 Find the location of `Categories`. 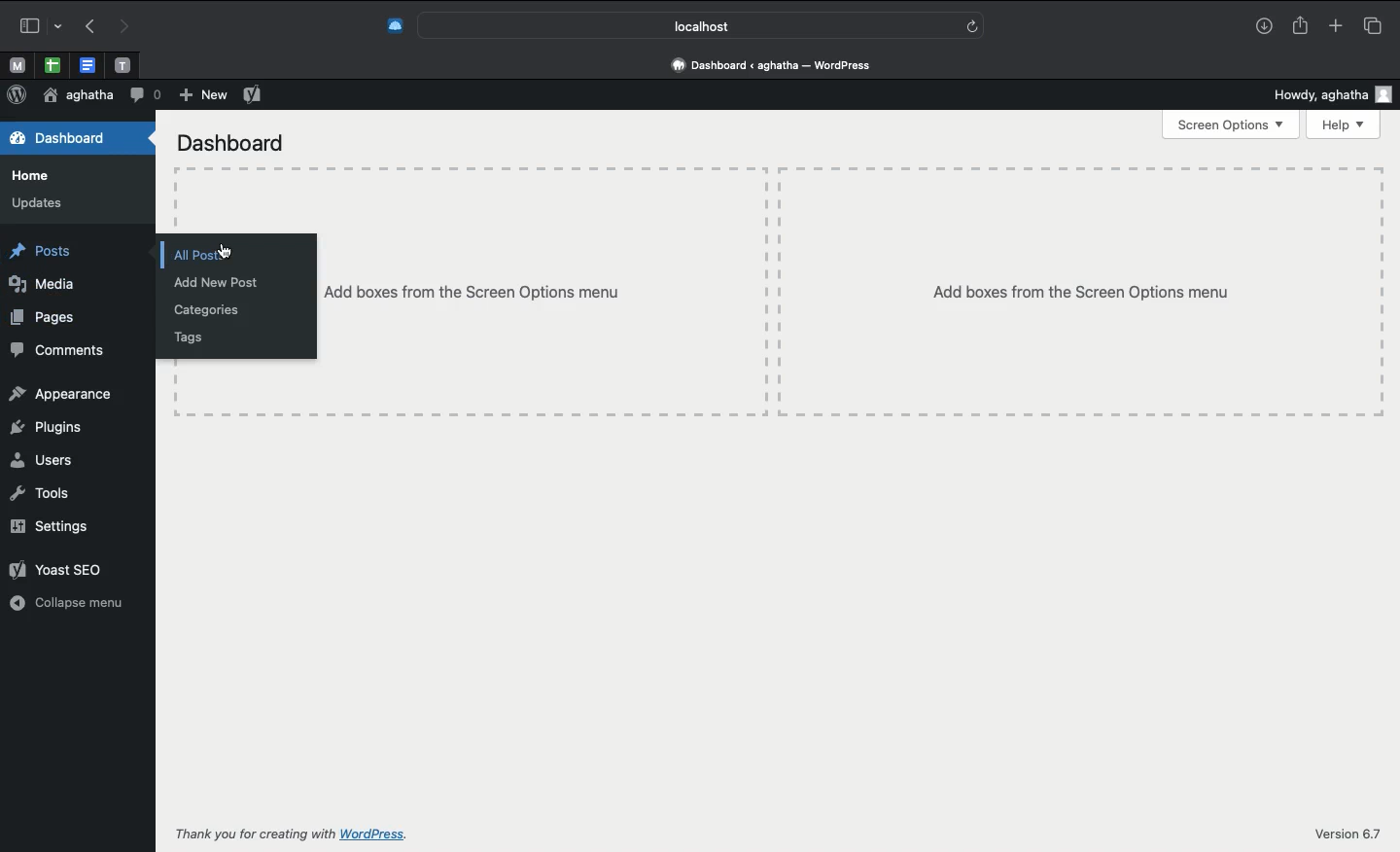

Categories is located at coordinates (203, 311).